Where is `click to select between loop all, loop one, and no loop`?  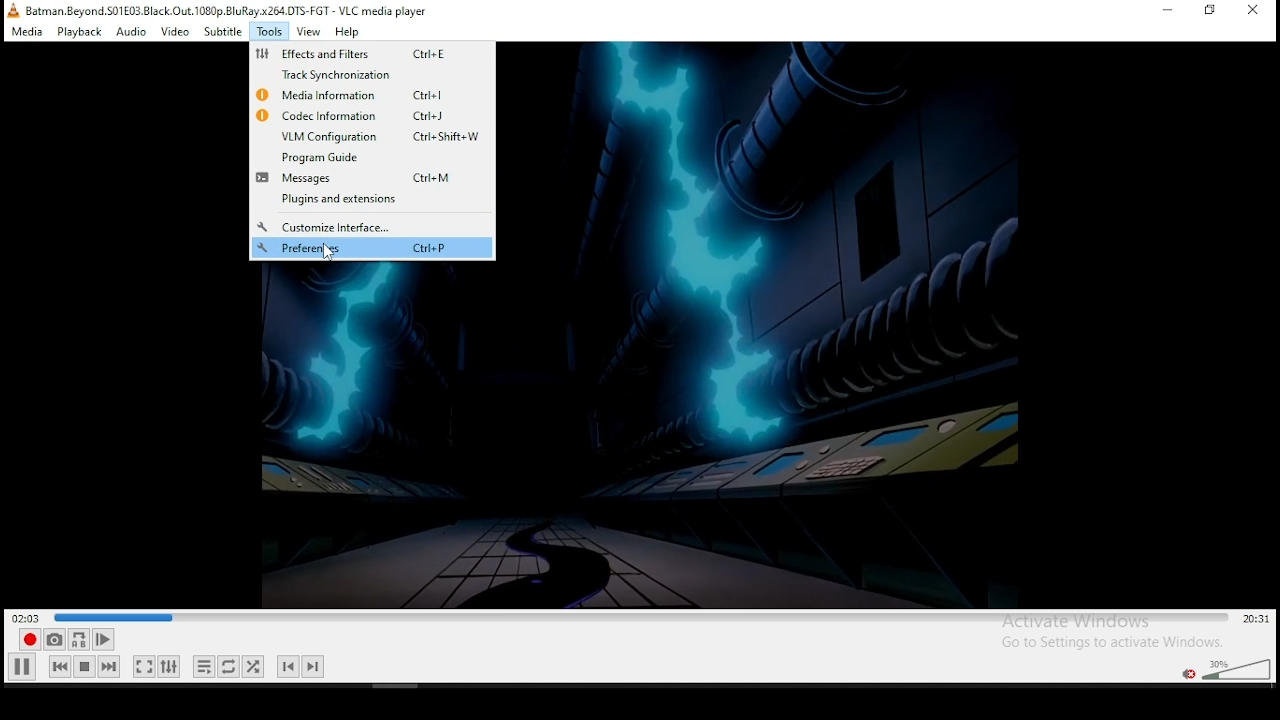
click to select between loop all, loop one, and no loop is located at coordinates (227, 668).